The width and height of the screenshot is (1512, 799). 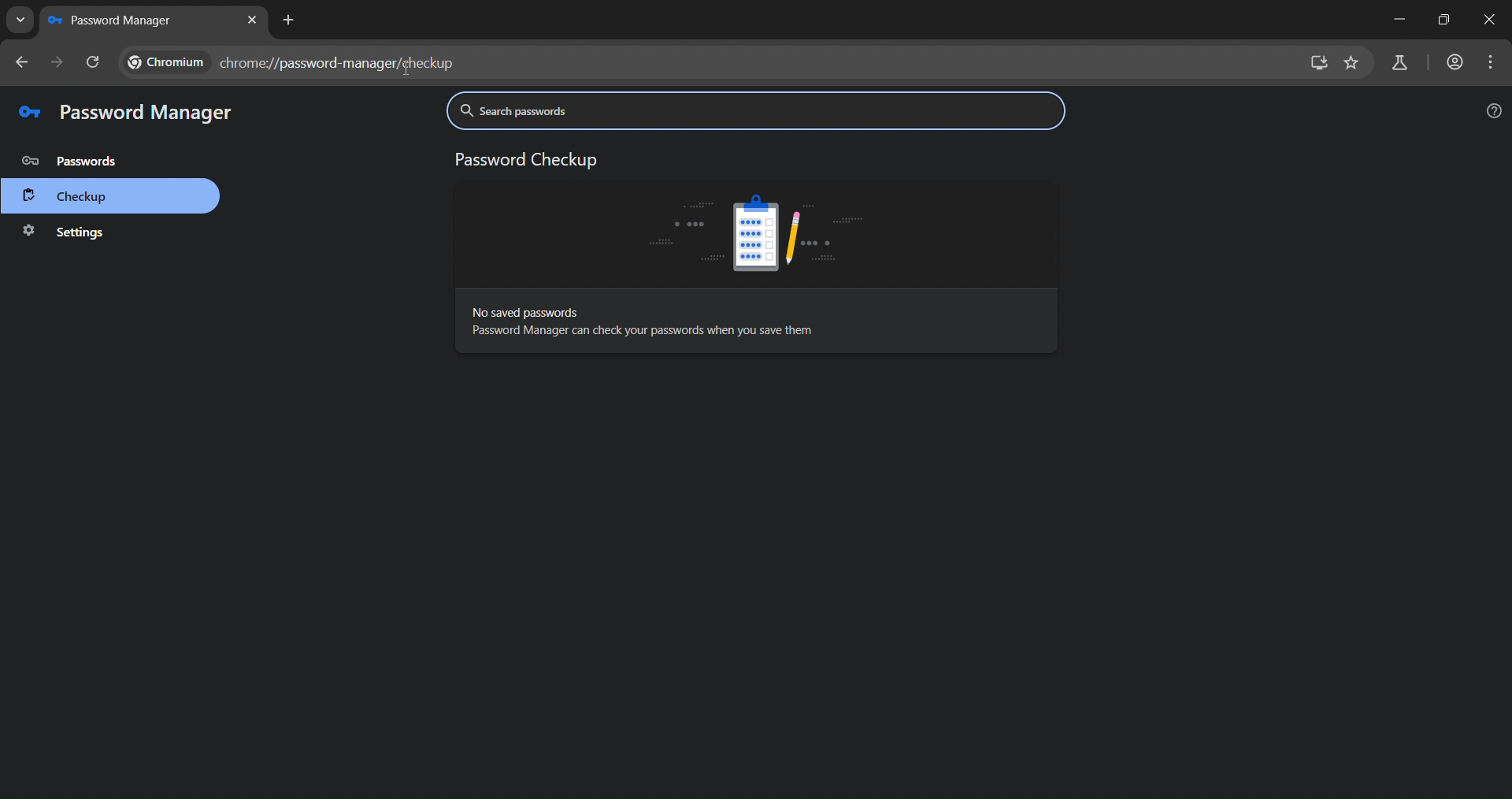 What do you see at coordinates (627, 110) in the screenshot?
I see `search passwords` at bounding box center [627, 110].